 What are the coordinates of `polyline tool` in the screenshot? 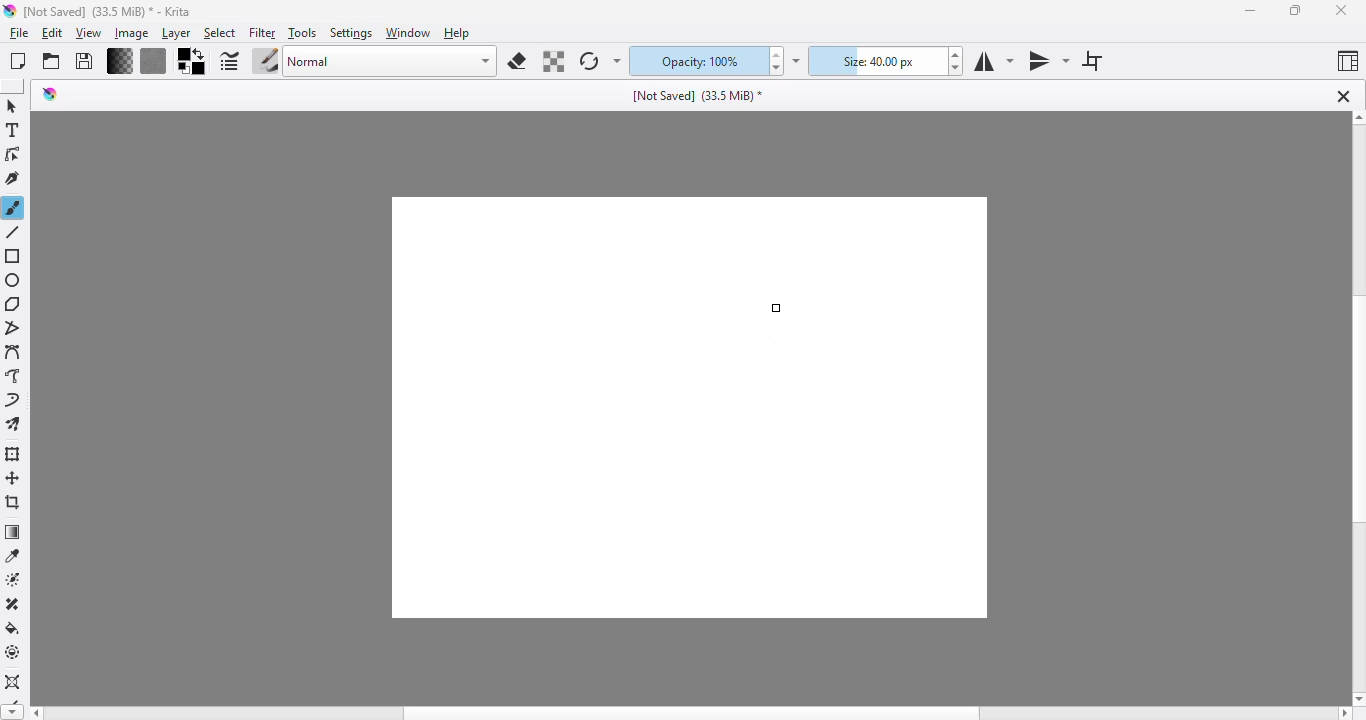 It's located at (13, 330).